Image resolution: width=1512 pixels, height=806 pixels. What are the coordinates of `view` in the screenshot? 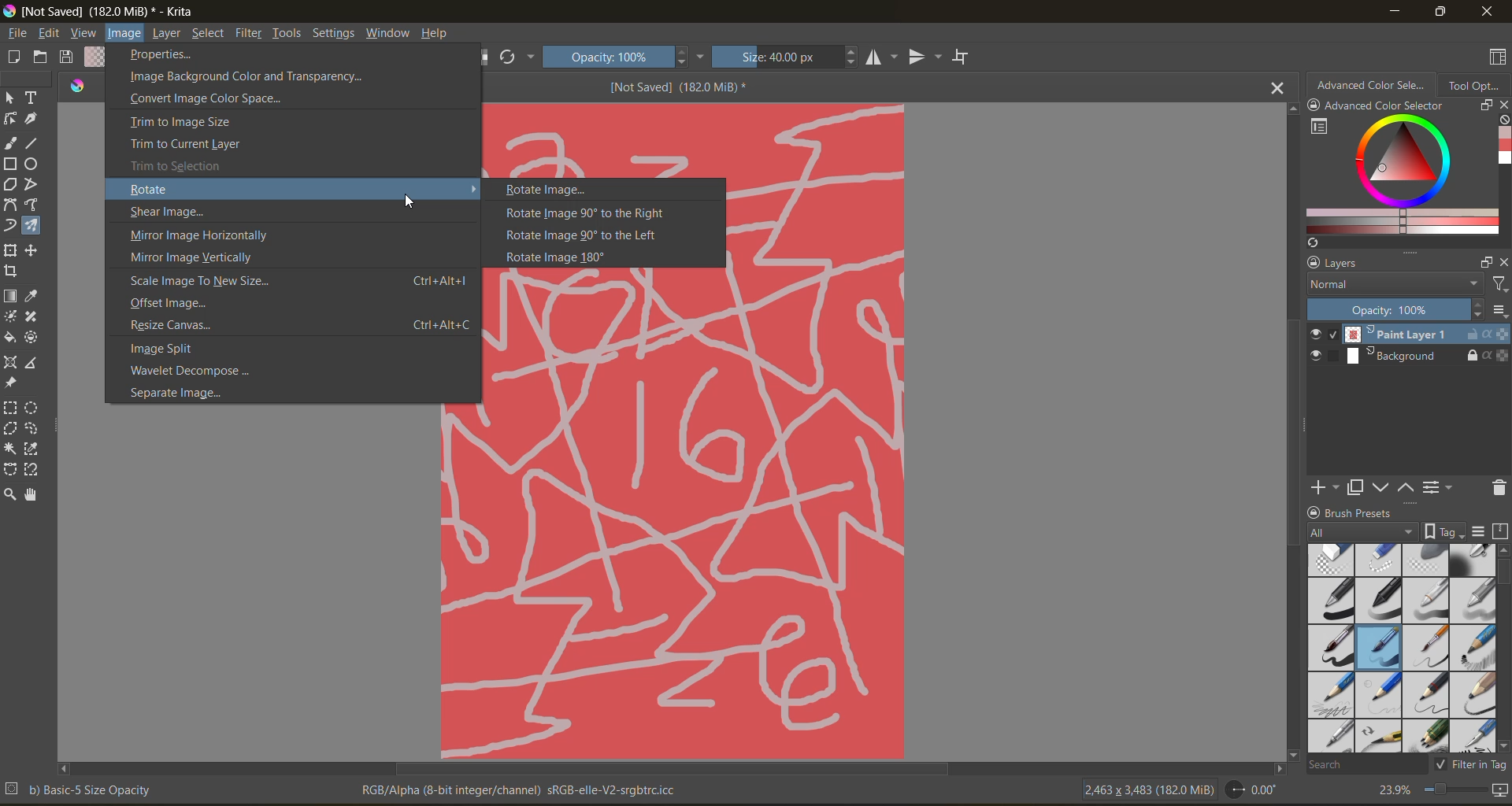 It's located at (83, 34).